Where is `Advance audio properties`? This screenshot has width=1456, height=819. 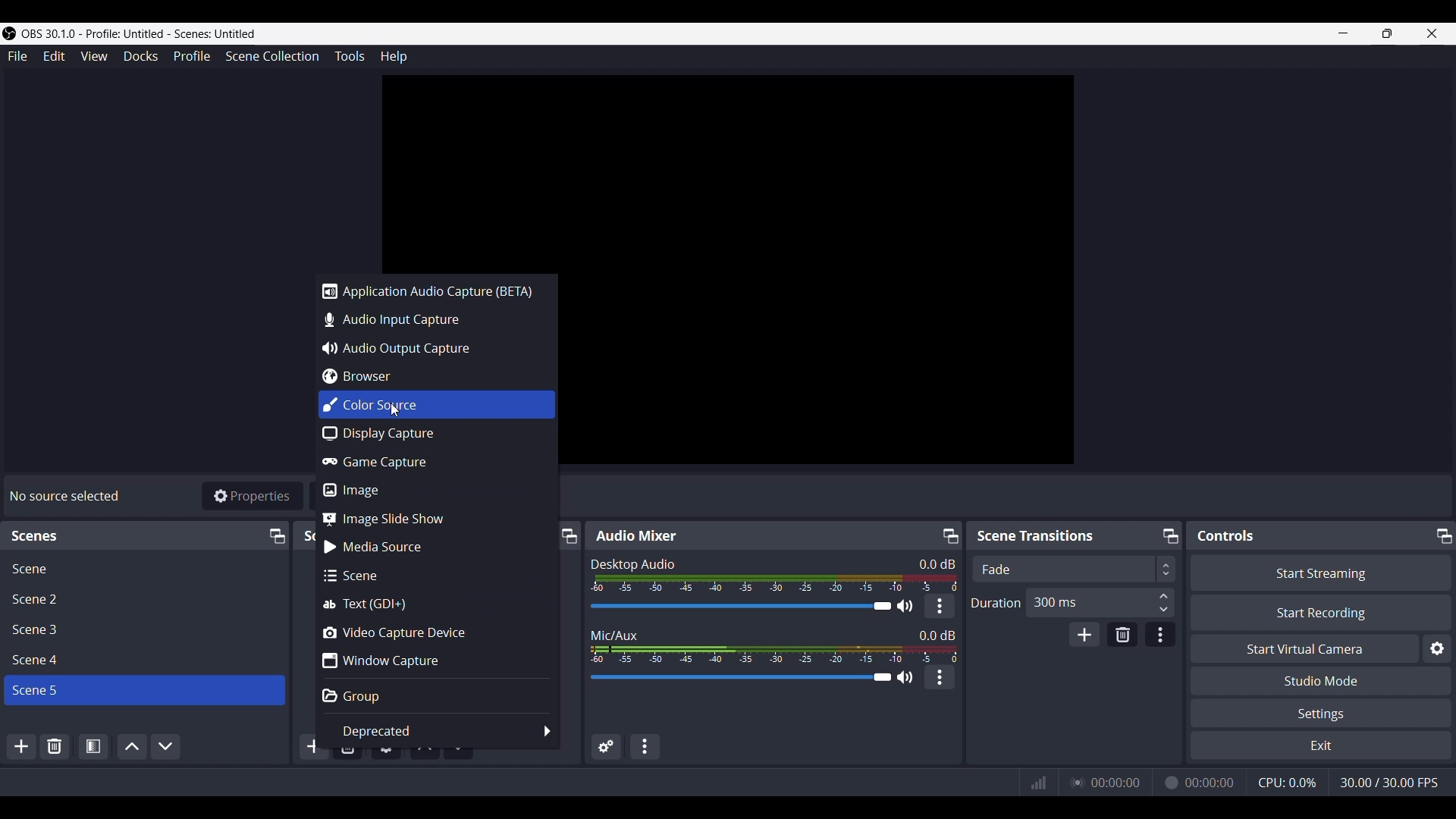
Advance audio properties is located at coordinates (604, 746).